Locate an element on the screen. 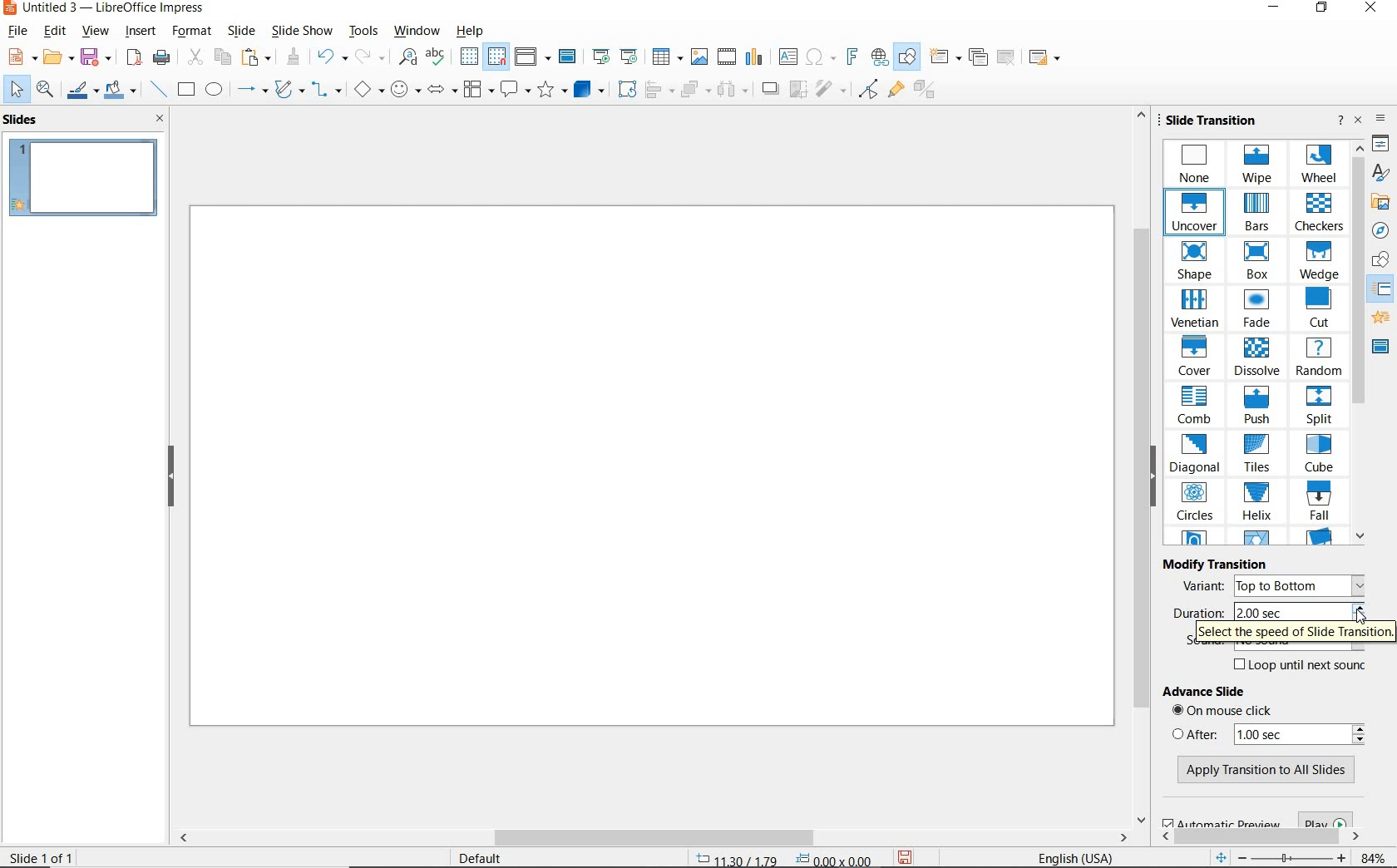 This screenshot has width=1397, height=868. CIRCLES is located at coordinates (1197, 503).